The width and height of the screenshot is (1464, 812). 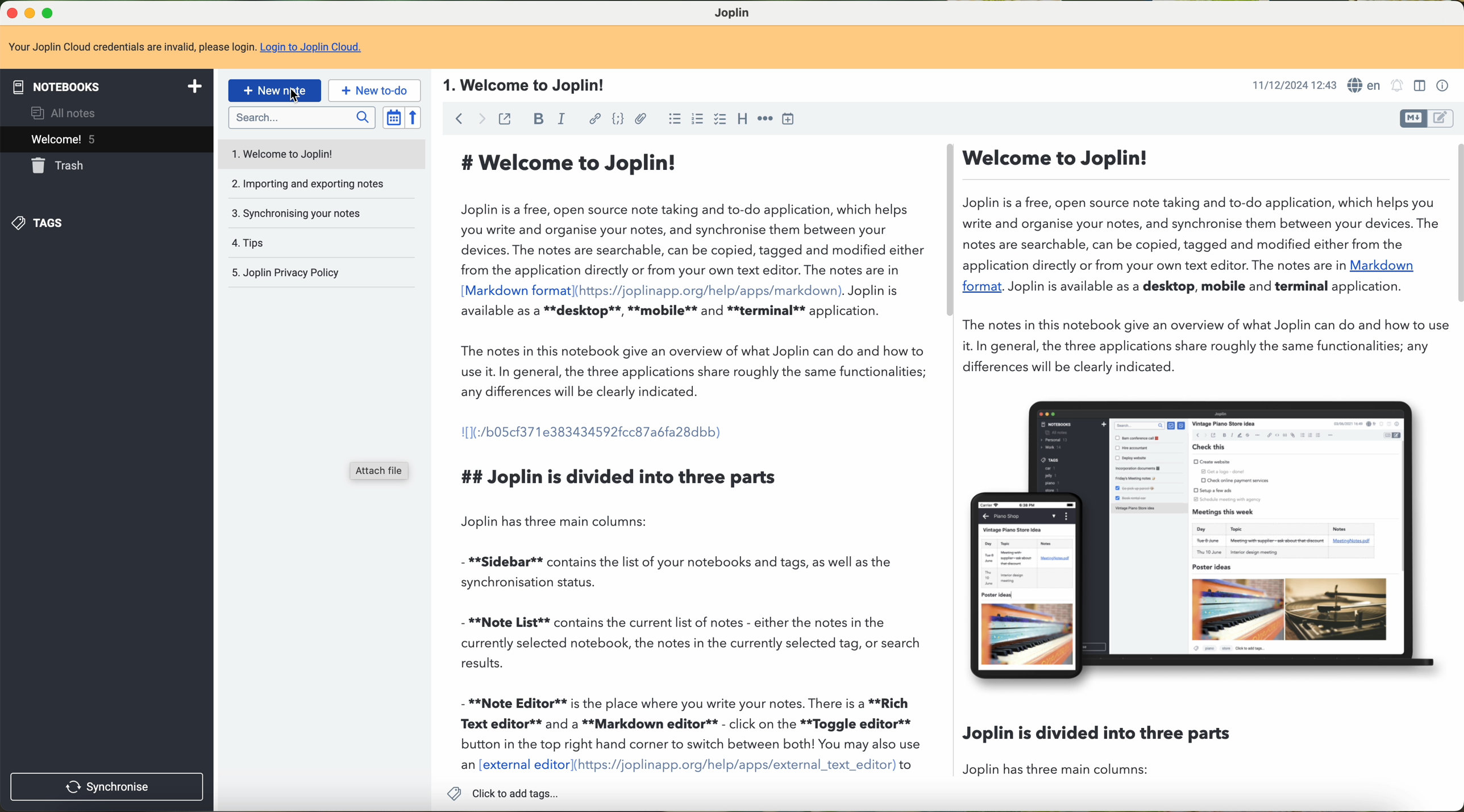 What do you see at coordinates (675, 121) in the screenshot?
I see `bulleted list` at bounding box center [675, 121].